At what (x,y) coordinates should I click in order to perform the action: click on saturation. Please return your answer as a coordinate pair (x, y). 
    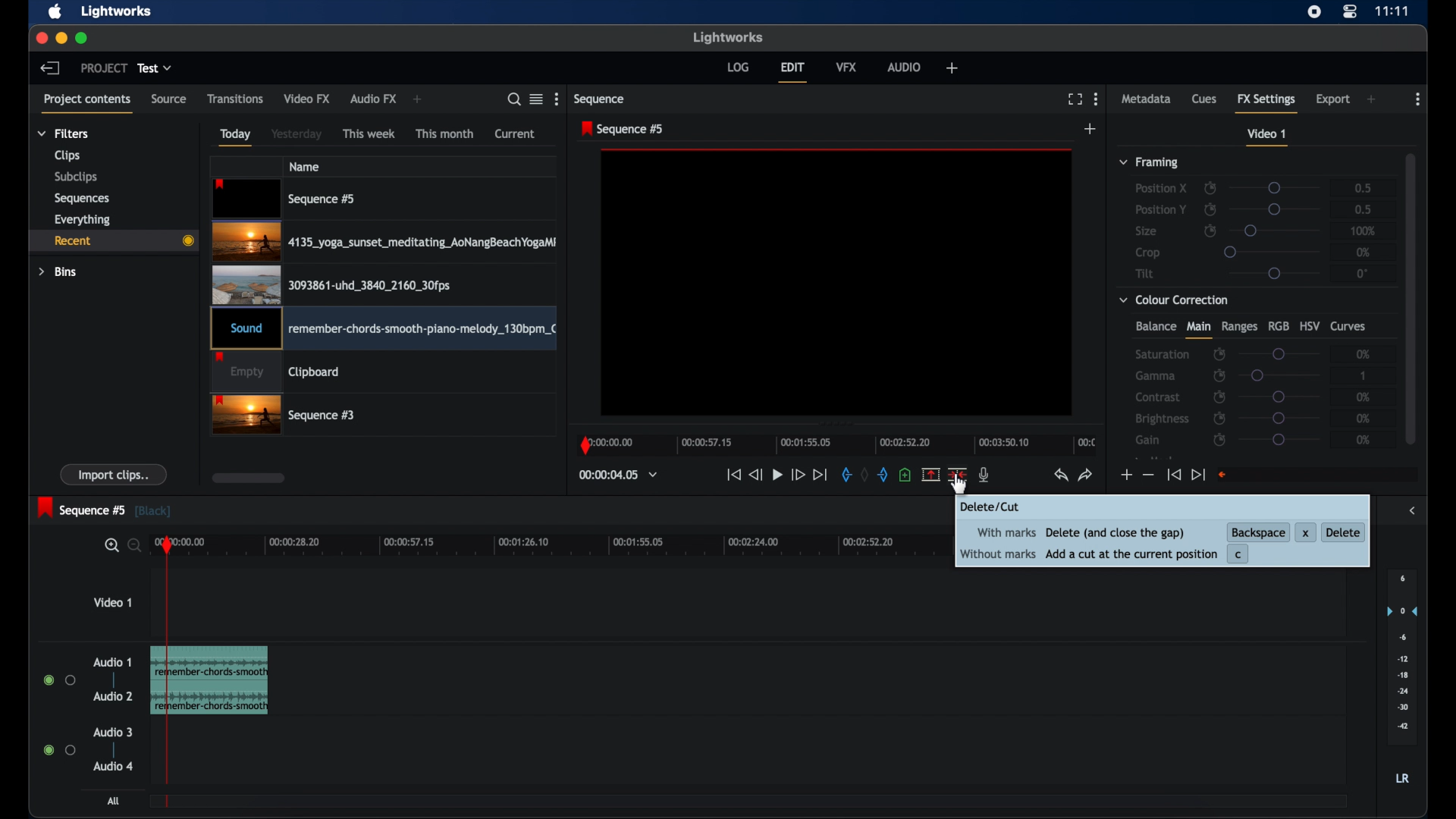
    Looking at the image, I should click on (1162, 354).